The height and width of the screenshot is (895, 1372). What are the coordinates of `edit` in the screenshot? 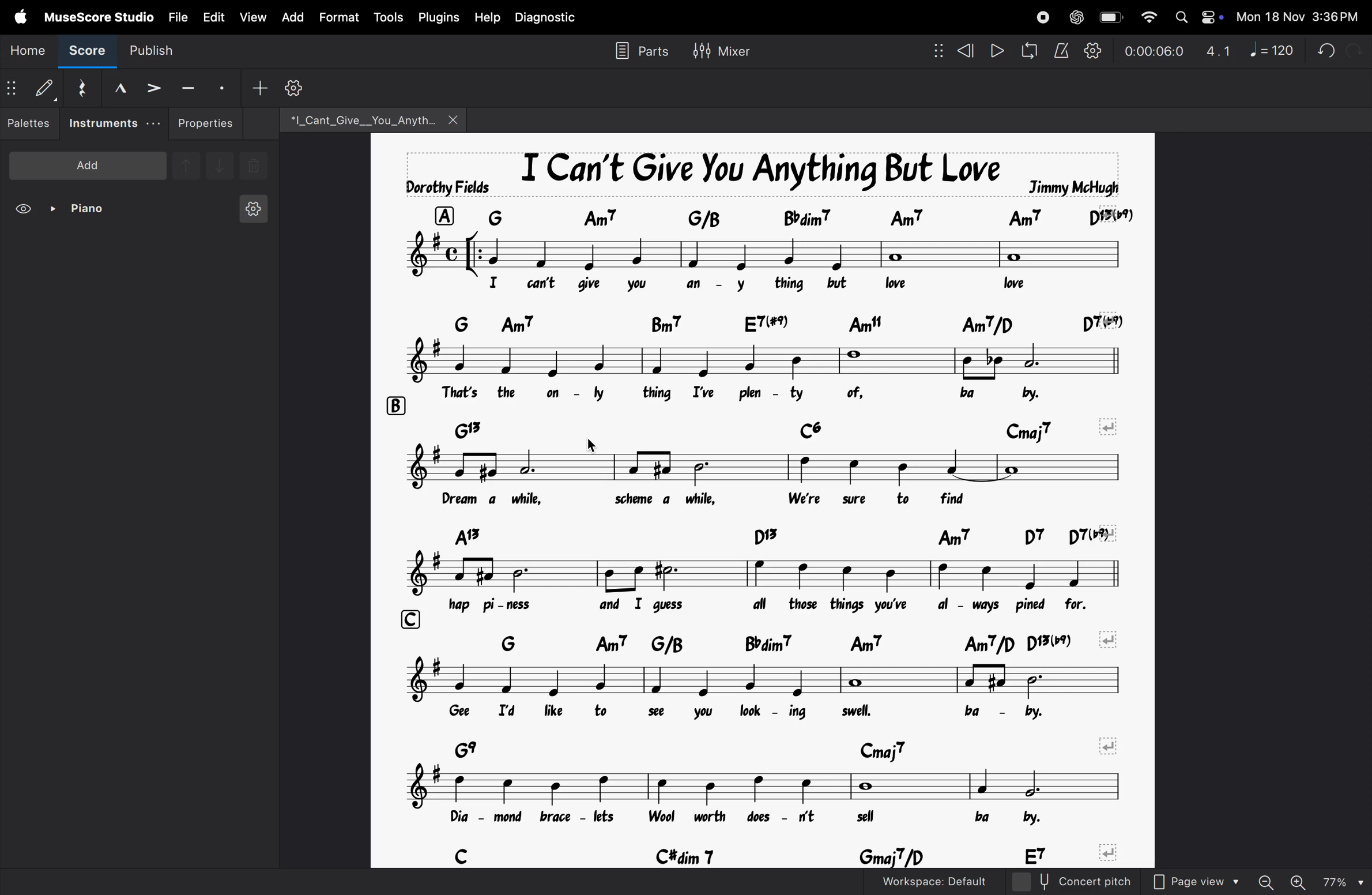 It's located at (212, 14).